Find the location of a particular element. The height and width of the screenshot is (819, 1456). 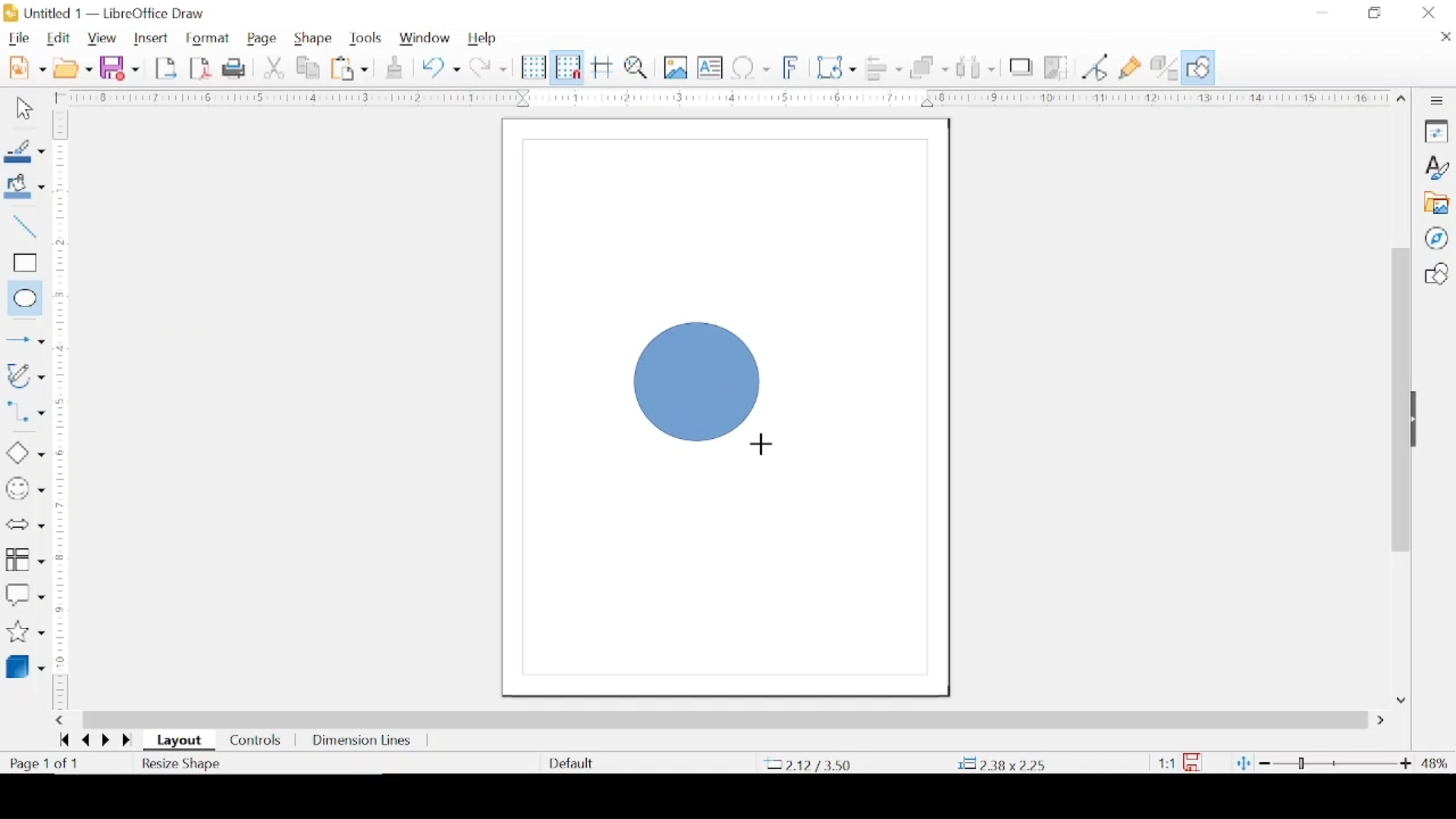

scroll box is located at coordinates (1398, 400).